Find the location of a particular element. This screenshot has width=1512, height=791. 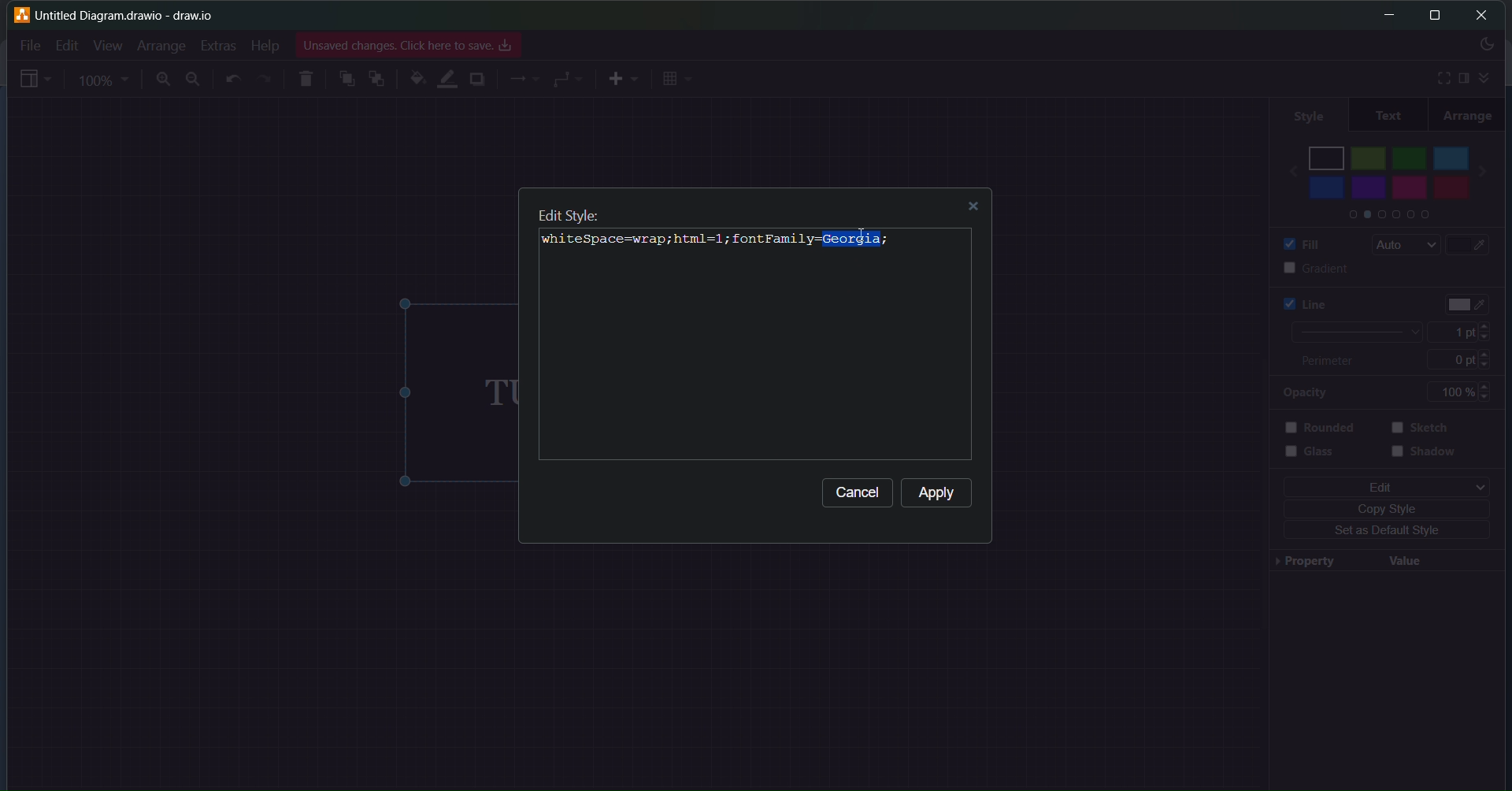

style is located at coordinates (1305, 113).